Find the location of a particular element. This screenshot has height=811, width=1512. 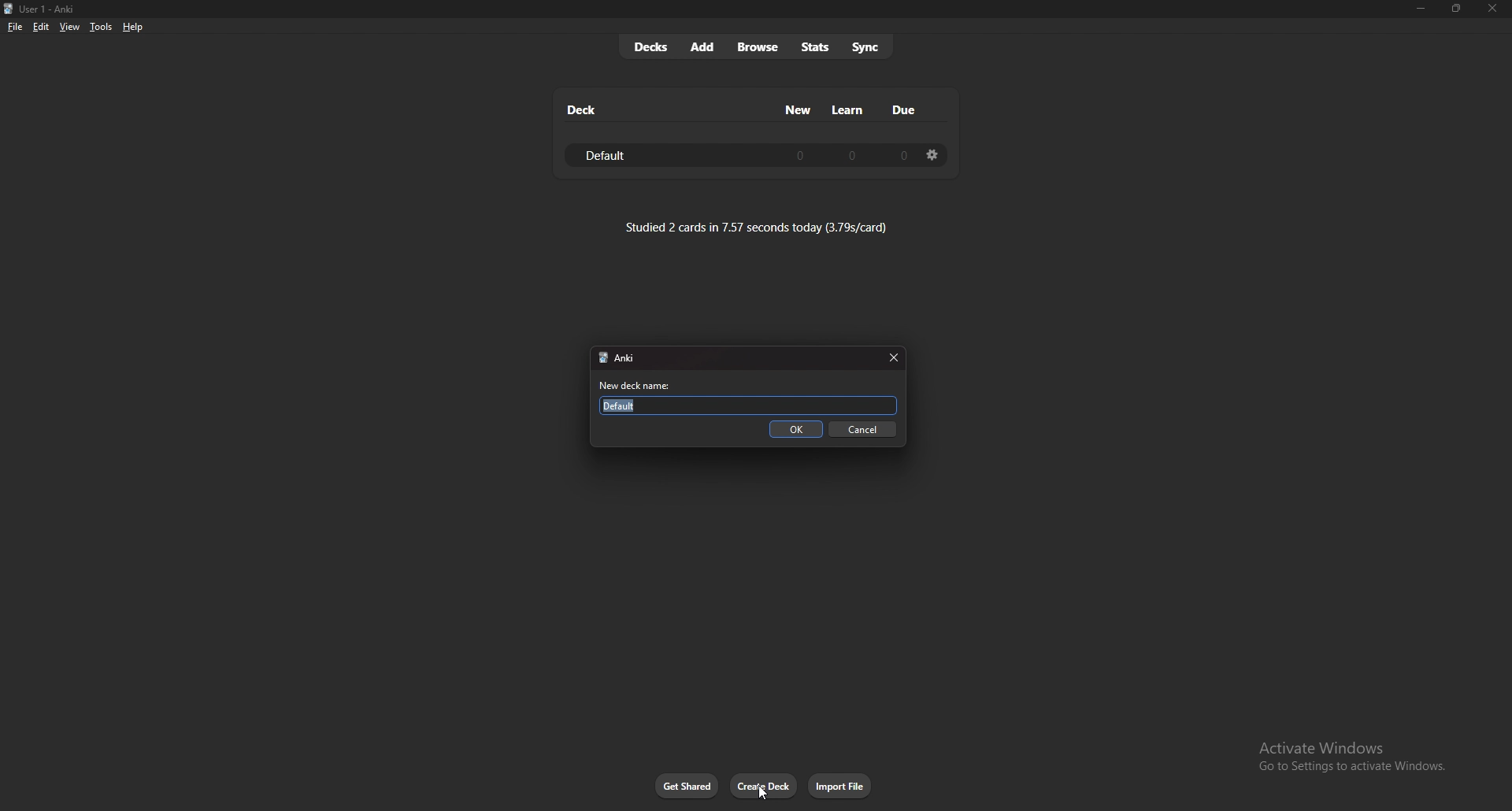

deck settings is located at coordinates (932, 154).